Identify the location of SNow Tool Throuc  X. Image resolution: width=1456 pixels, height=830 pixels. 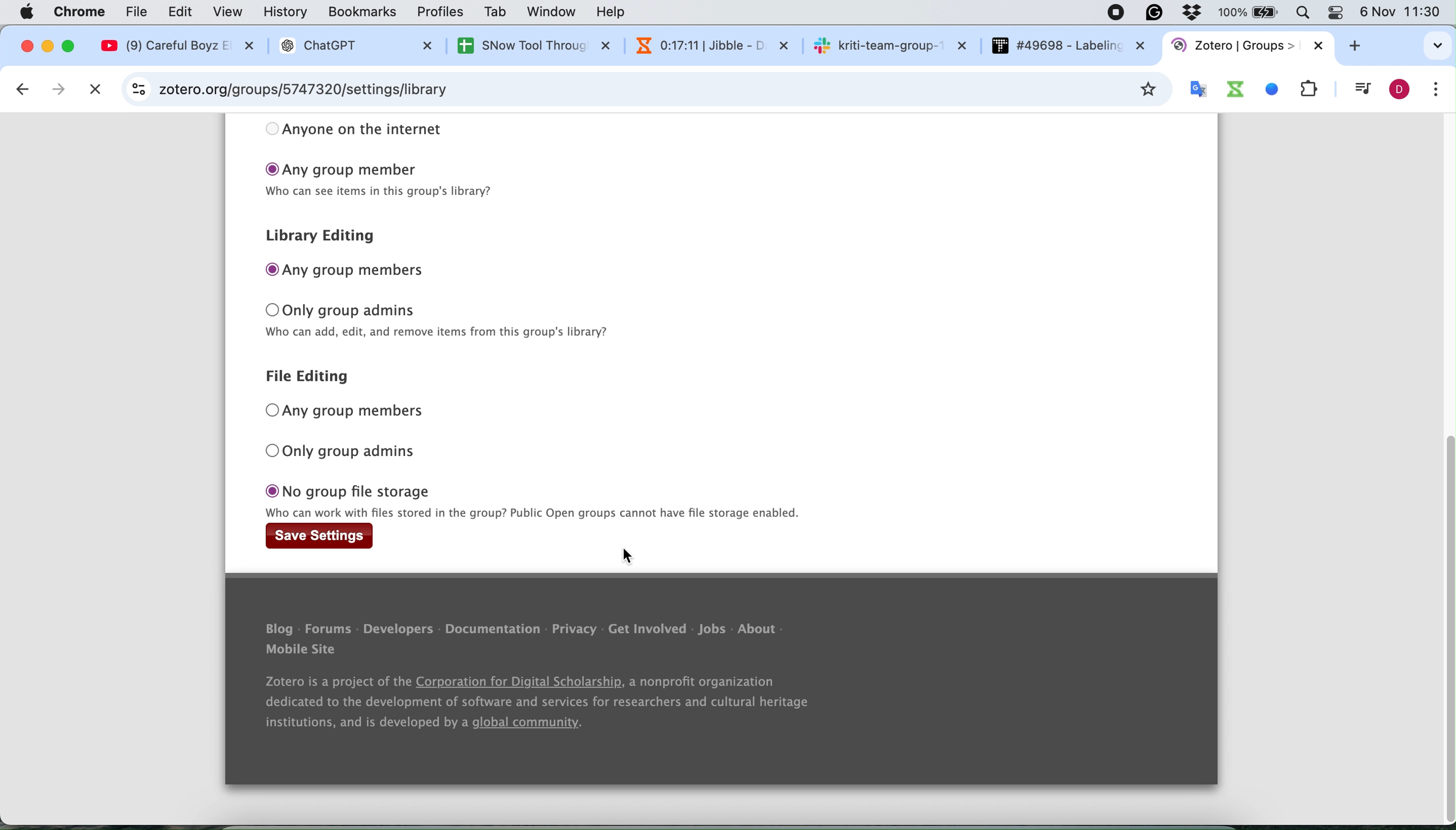
(524, 45).